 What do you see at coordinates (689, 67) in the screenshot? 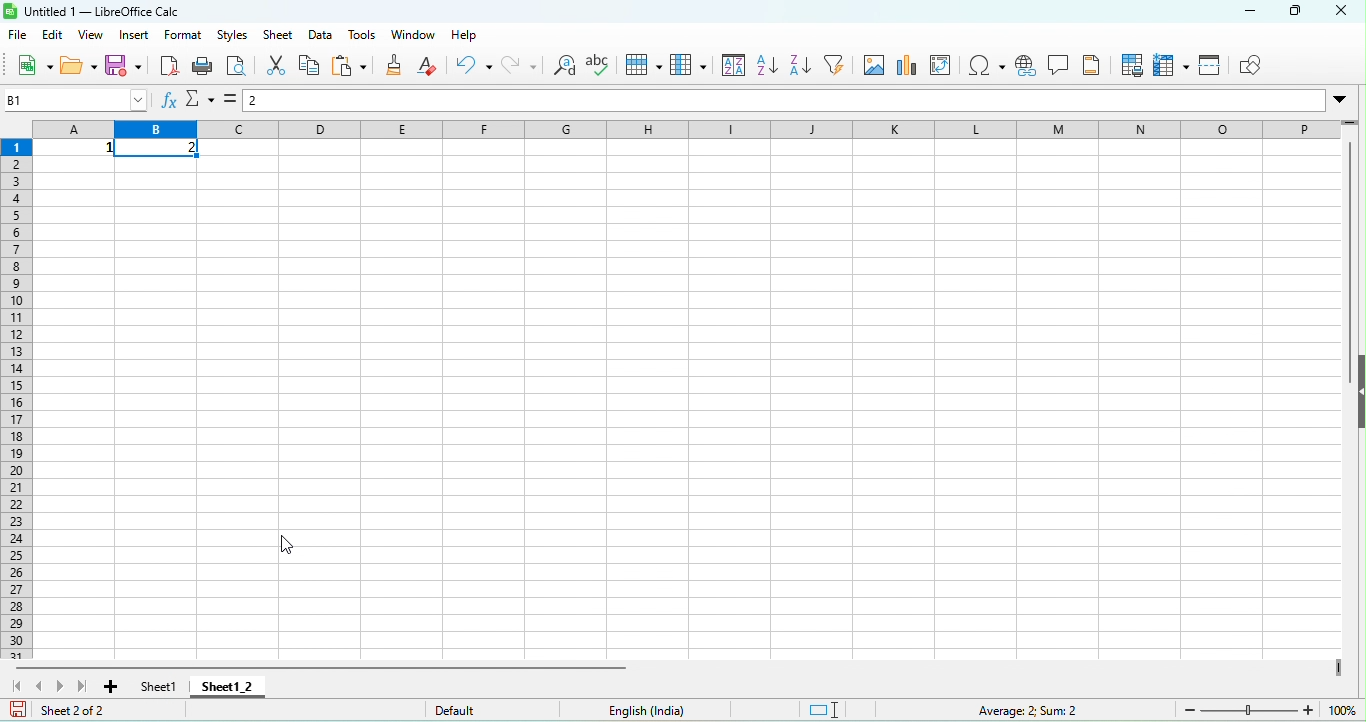
I see `column` at bounding box center [689, 67].